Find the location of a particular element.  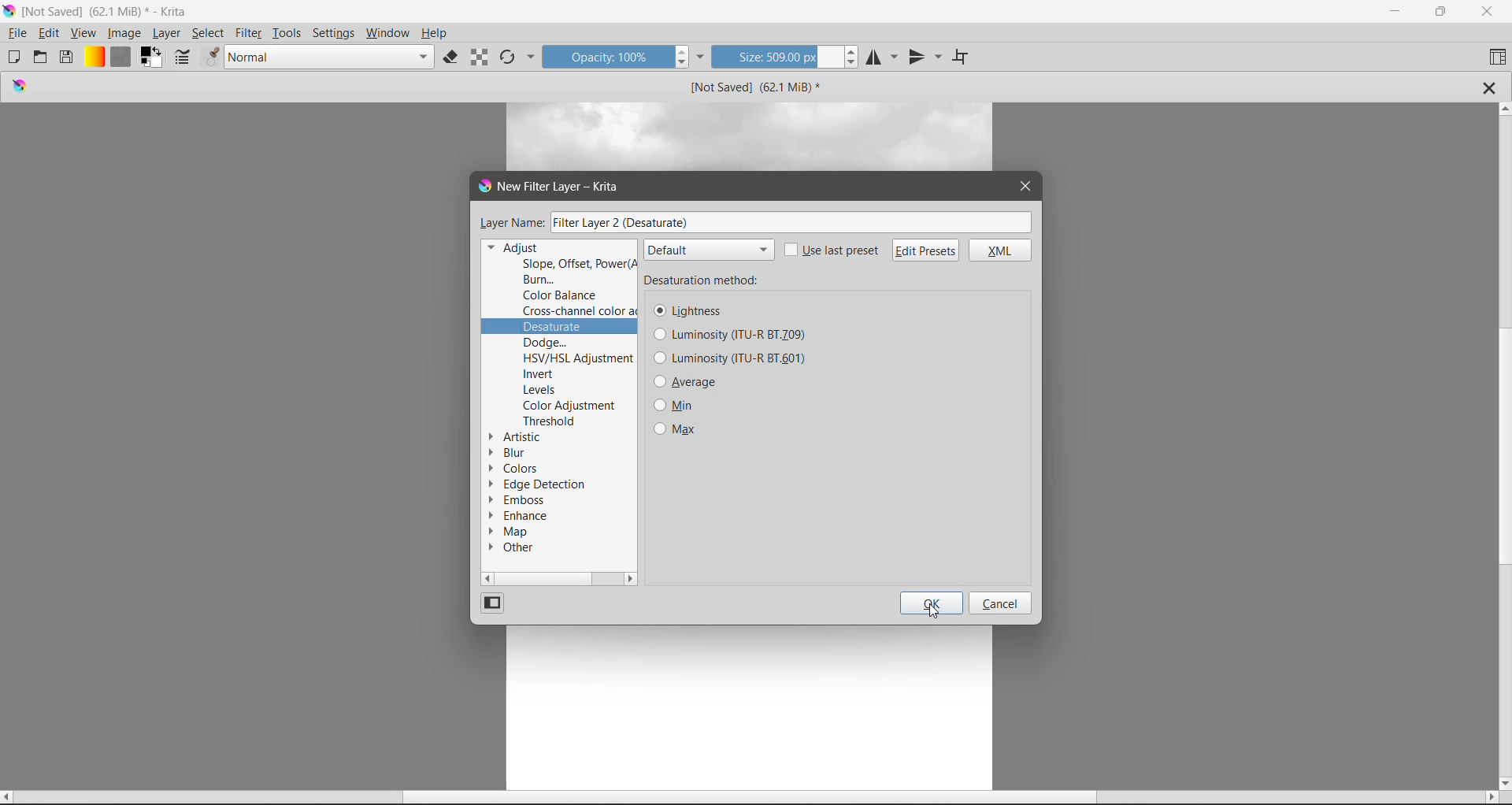

Max is located at coordinates (677, 432).